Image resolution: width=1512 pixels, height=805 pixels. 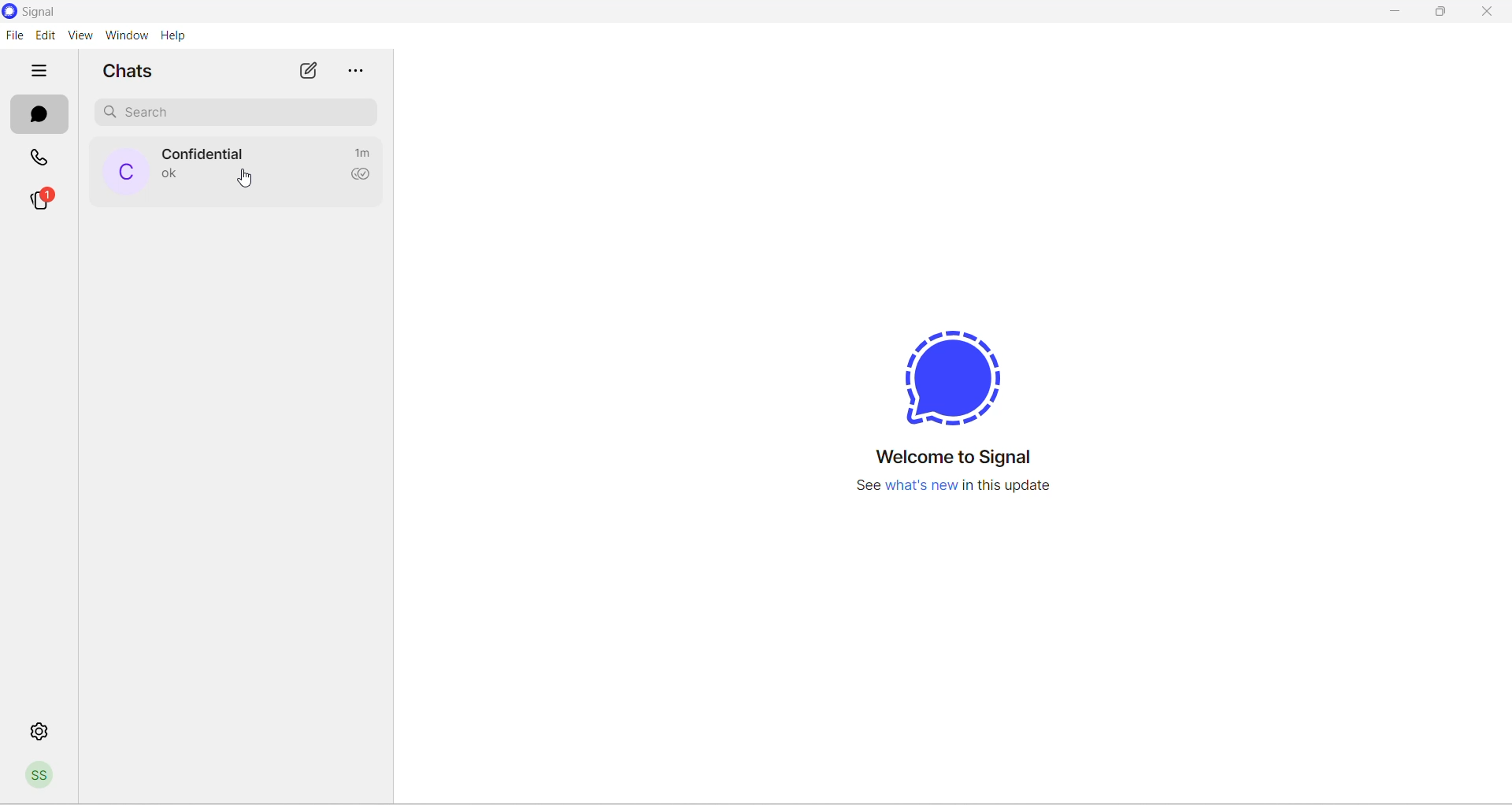 I want to click on chats heading, so click(x=133, y=72).